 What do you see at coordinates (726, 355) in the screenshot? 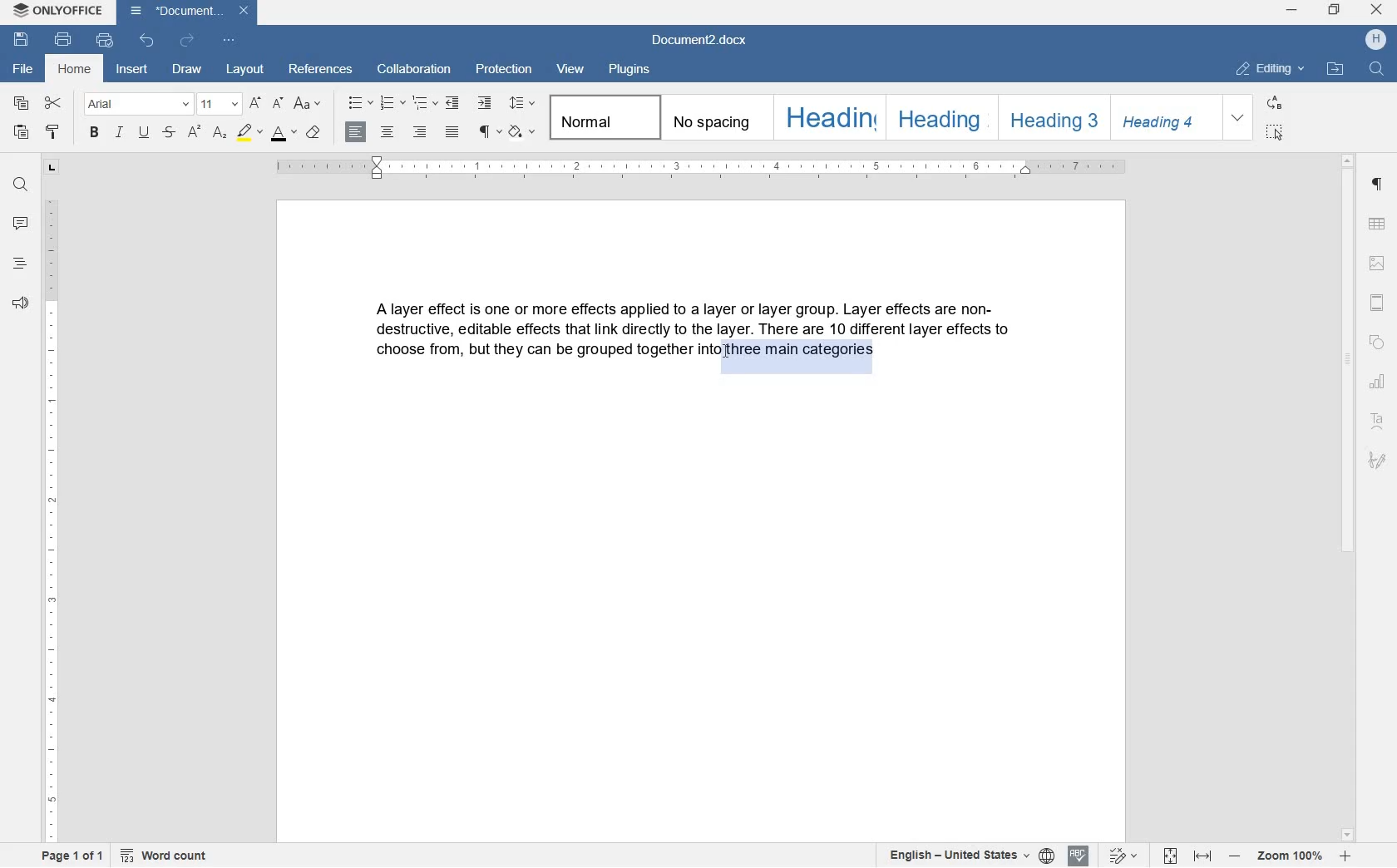
I see `CURSOR` at bounding box center [726, 355].